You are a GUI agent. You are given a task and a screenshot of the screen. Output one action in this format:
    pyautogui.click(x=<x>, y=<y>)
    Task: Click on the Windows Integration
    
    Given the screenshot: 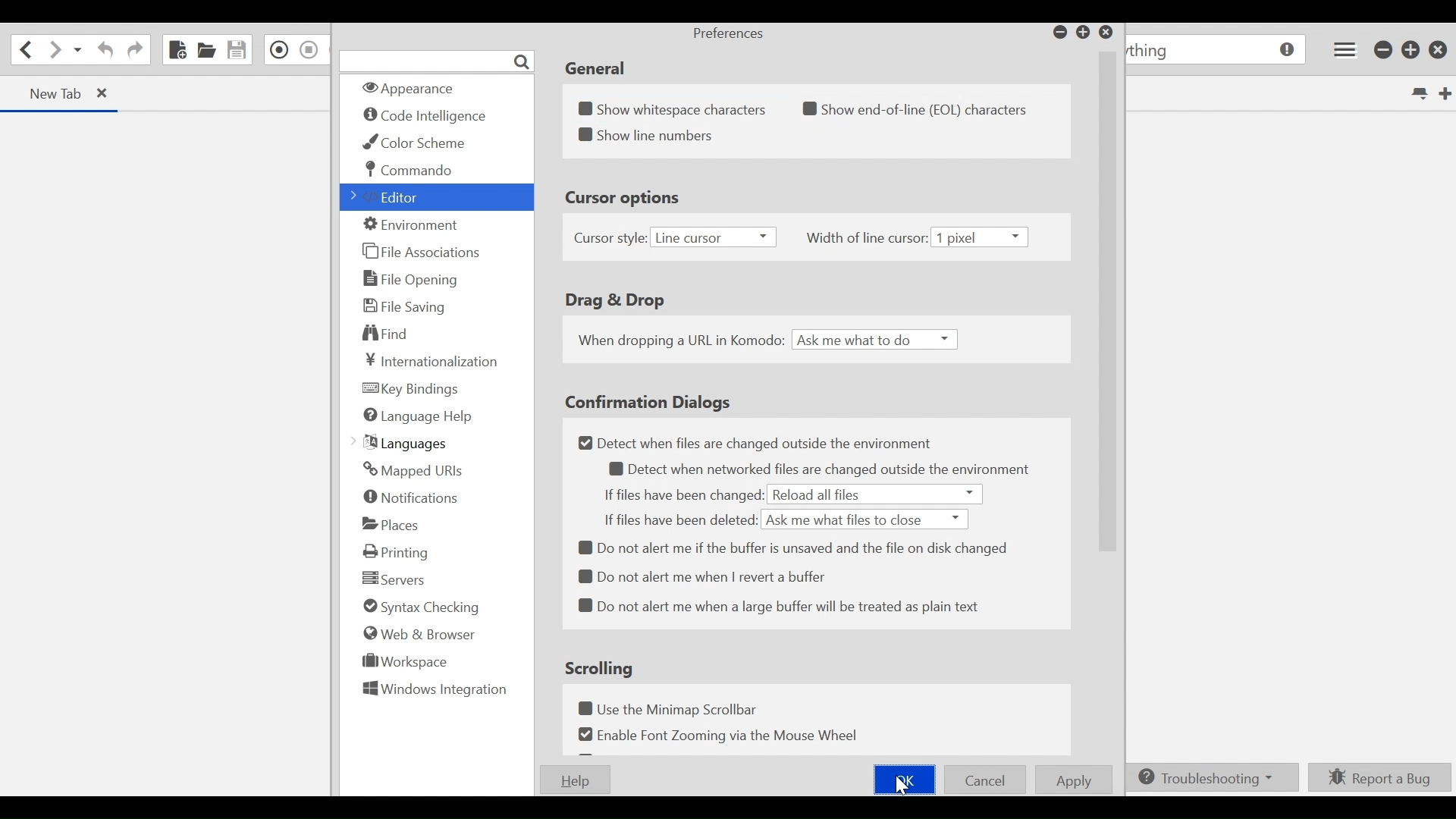 What is the action you would take?
    pyautogui.click(x=433, y=691)
    